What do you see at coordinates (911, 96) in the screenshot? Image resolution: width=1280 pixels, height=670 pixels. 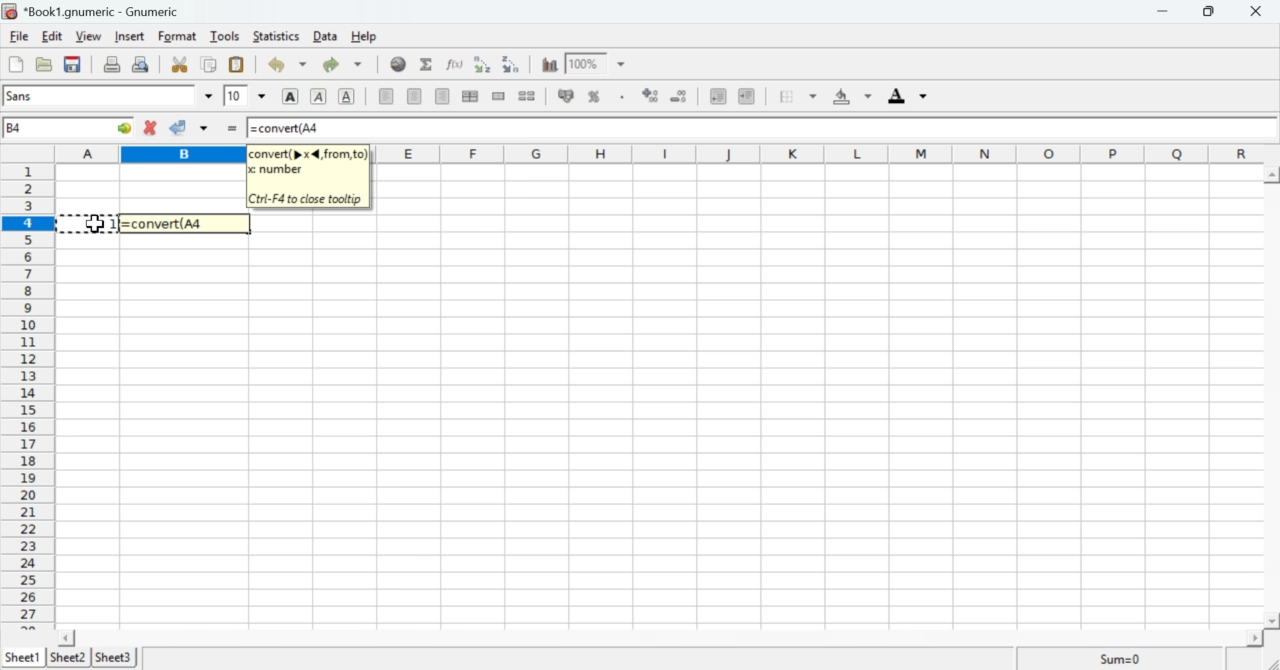 I see `Foreground` at bounding box center [911, 96].